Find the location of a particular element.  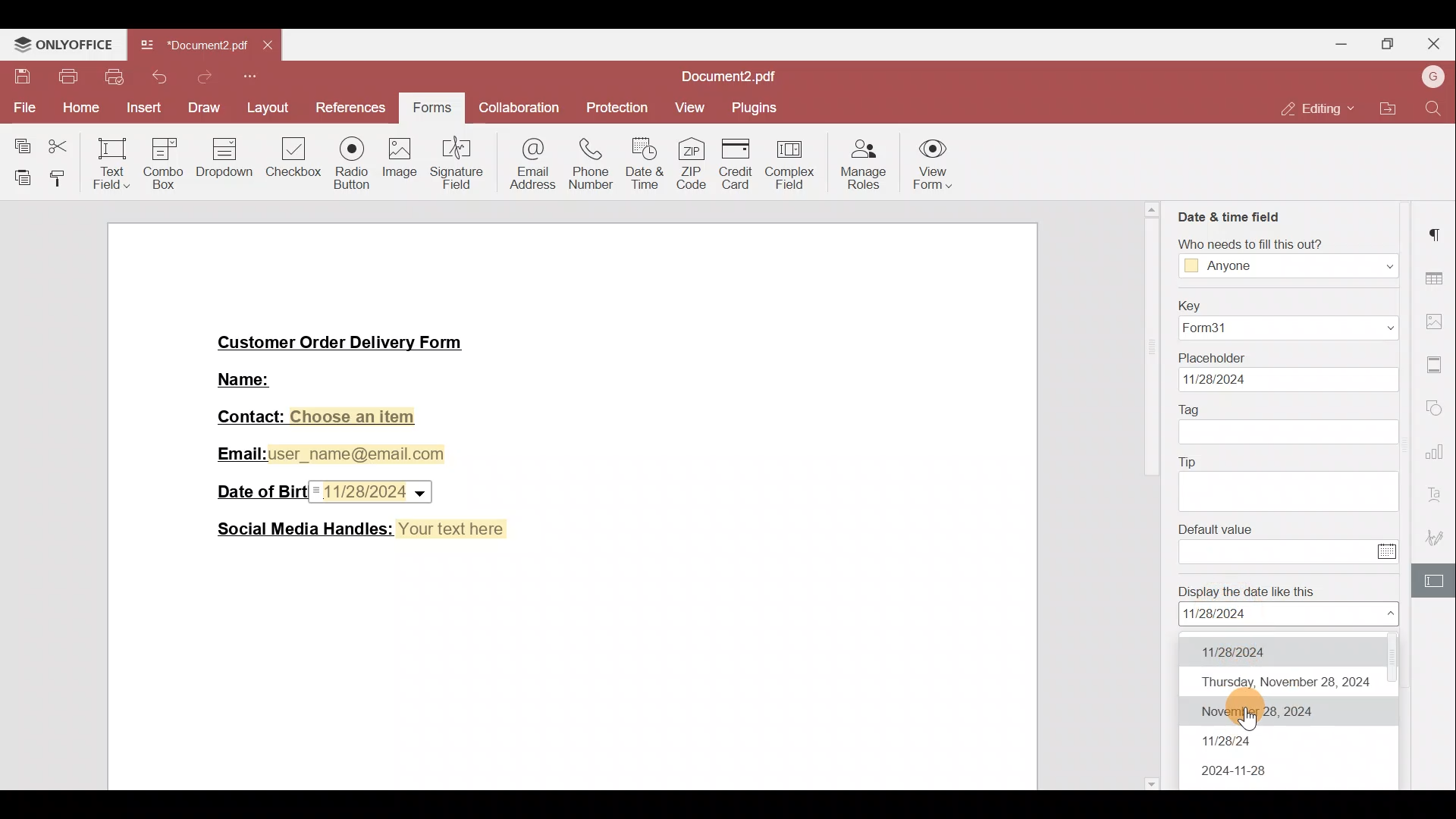

Quick print is located at coordinates (113, 76).